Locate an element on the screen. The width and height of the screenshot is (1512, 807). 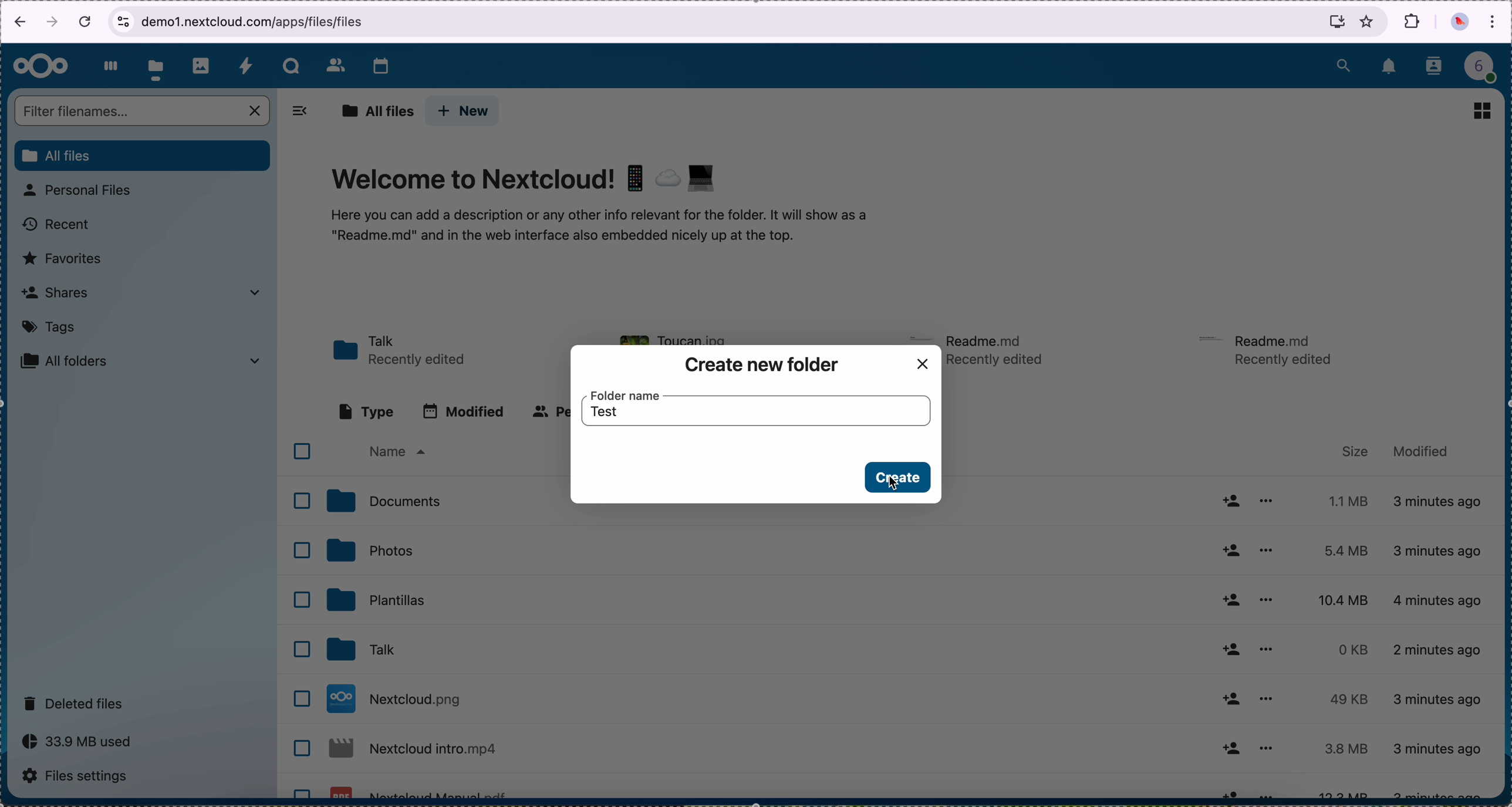
people is located at coordinates (548, 411).